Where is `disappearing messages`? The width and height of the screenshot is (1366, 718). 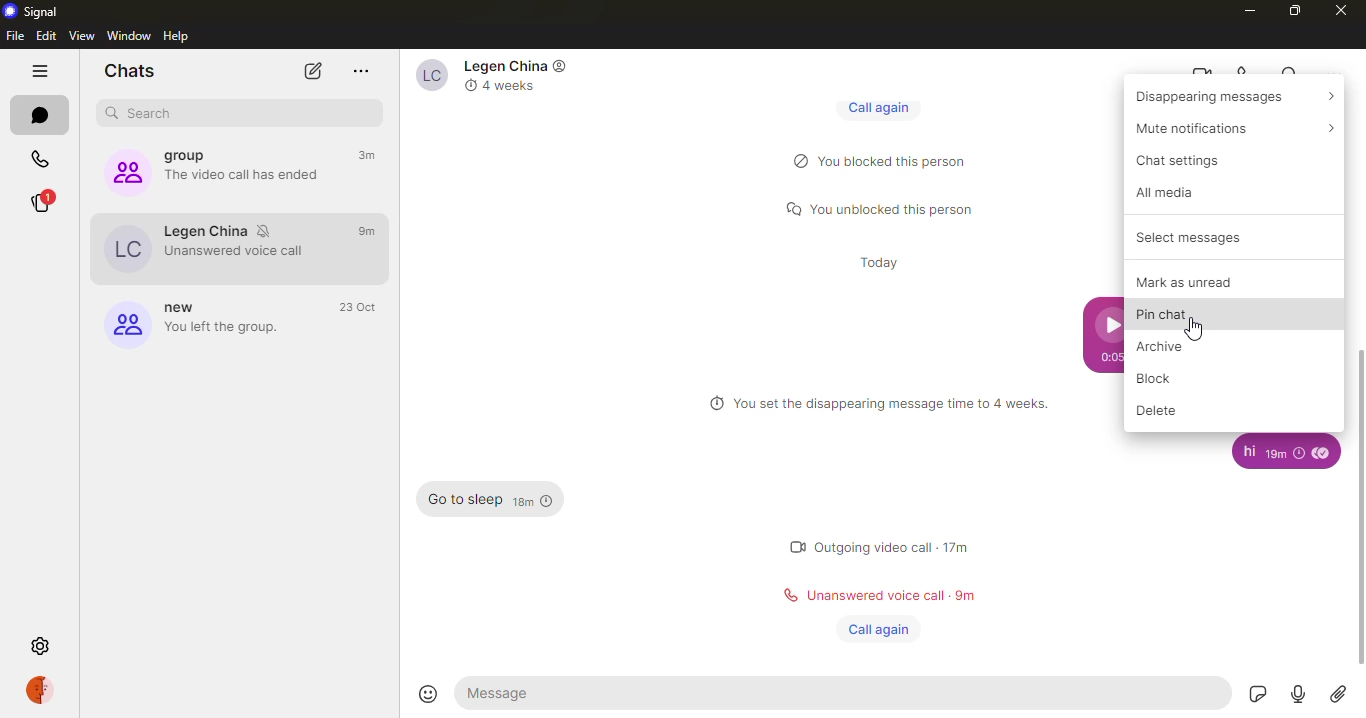 disappearing messages is located at coordinates (1230, 94).